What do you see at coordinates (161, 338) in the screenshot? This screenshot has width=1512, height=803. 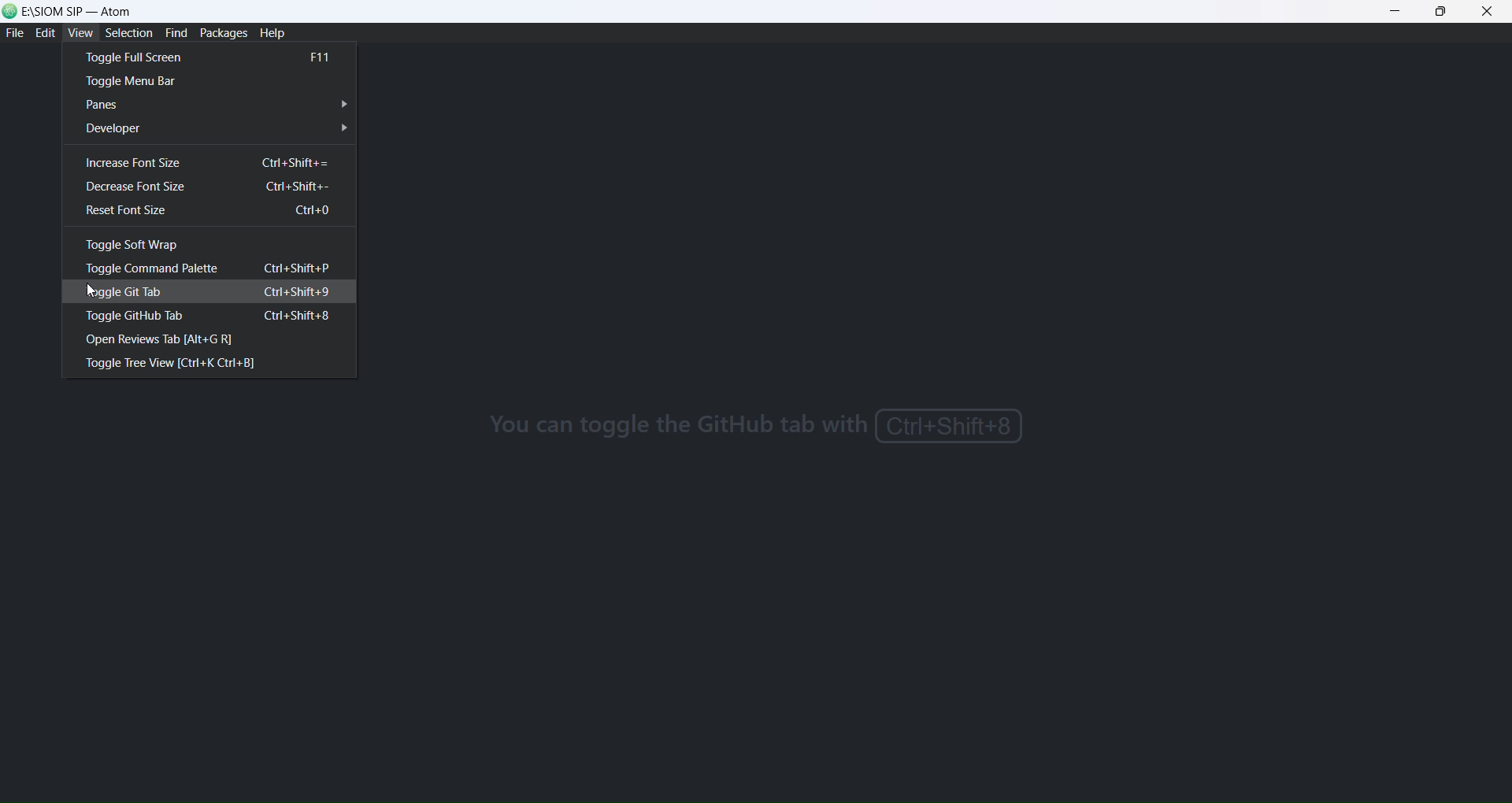 I see `open review tab` at bounding box center [161, 338].